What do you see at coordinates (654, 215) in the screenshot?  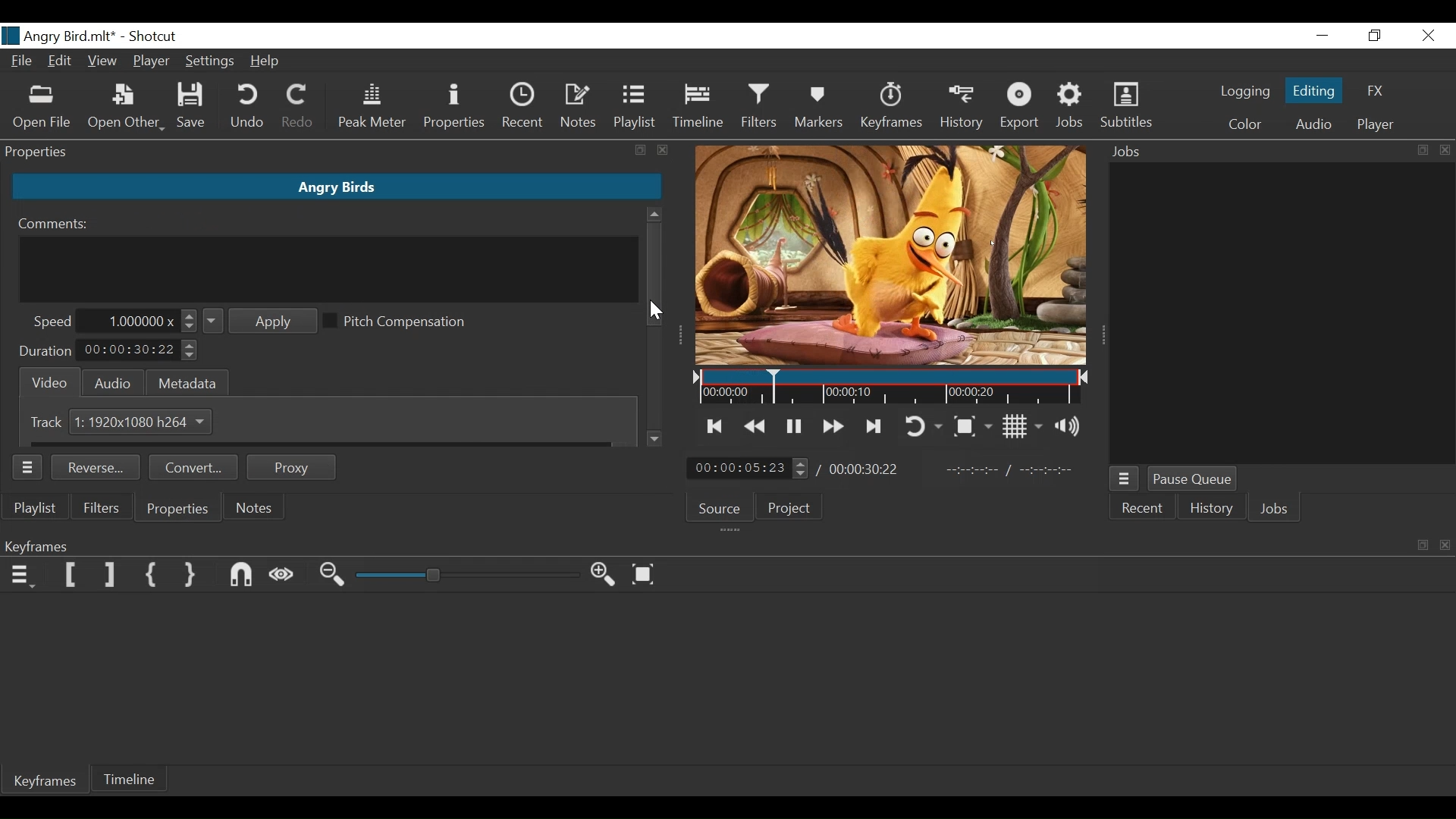 I see `Scroll up` at bounding box center [654, 215].